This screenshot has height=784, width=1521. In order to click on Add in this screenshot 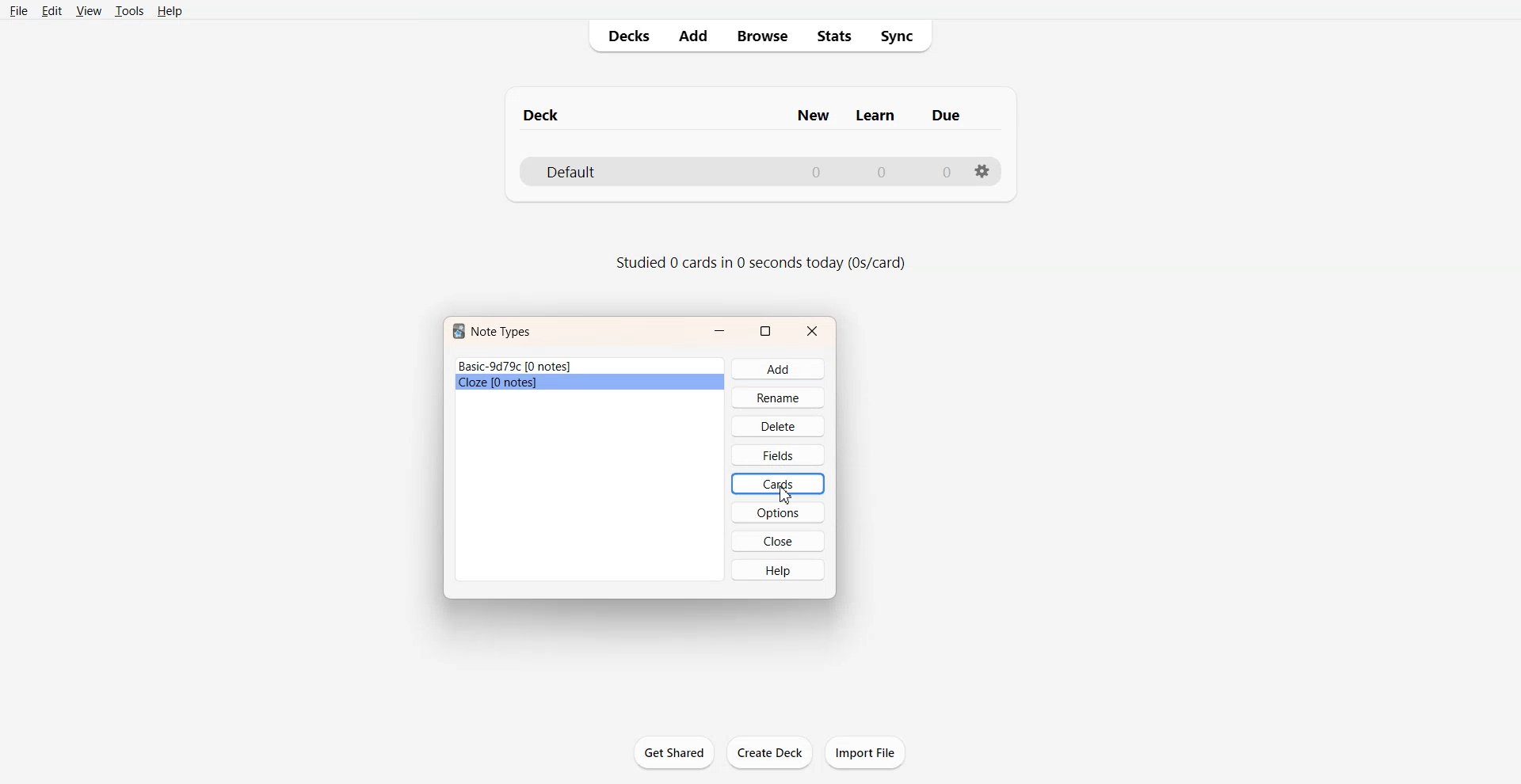, I will do `click(777, 369)`.